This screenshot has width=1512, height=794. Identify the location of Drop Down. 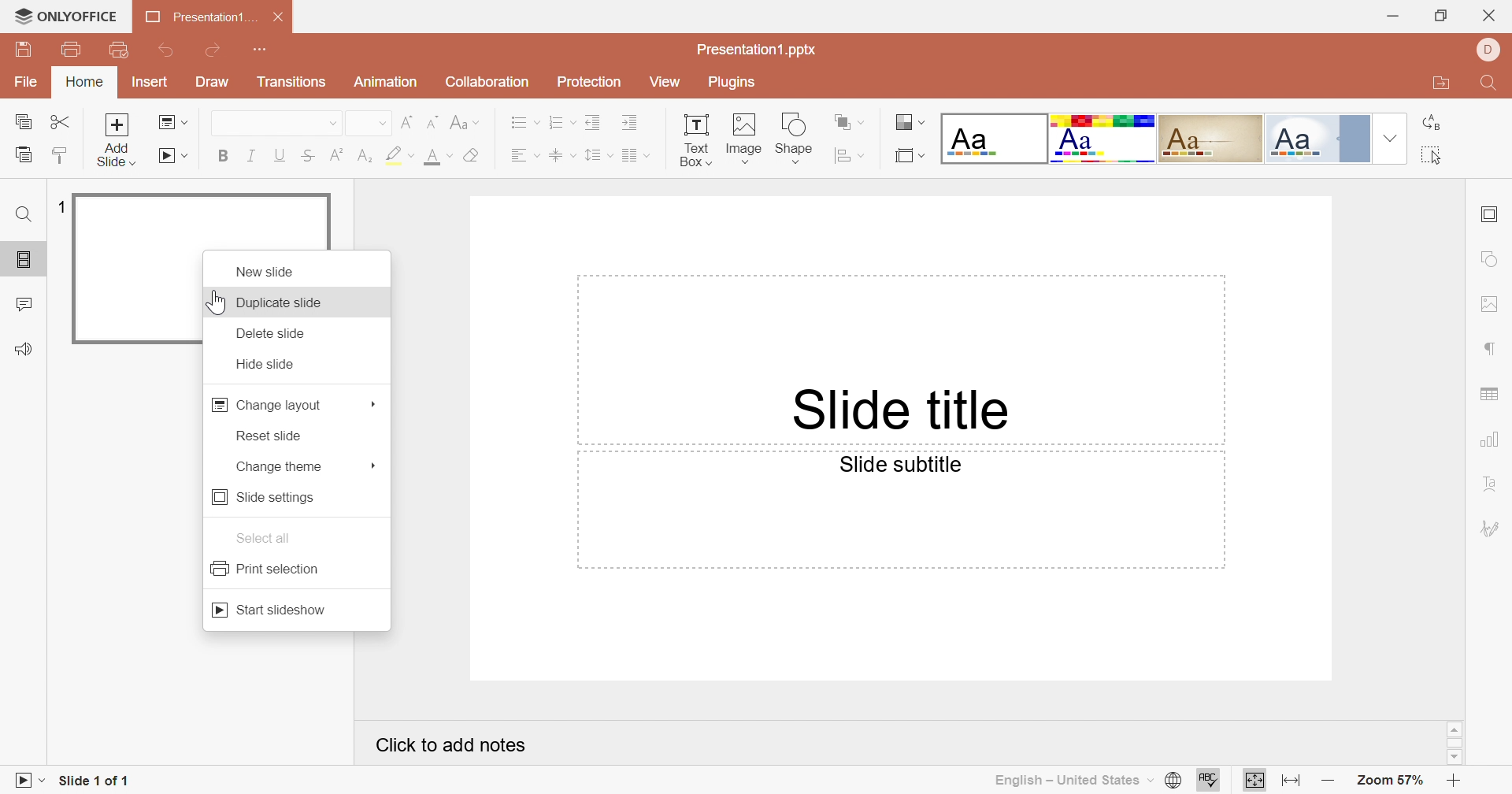
(380, 124).